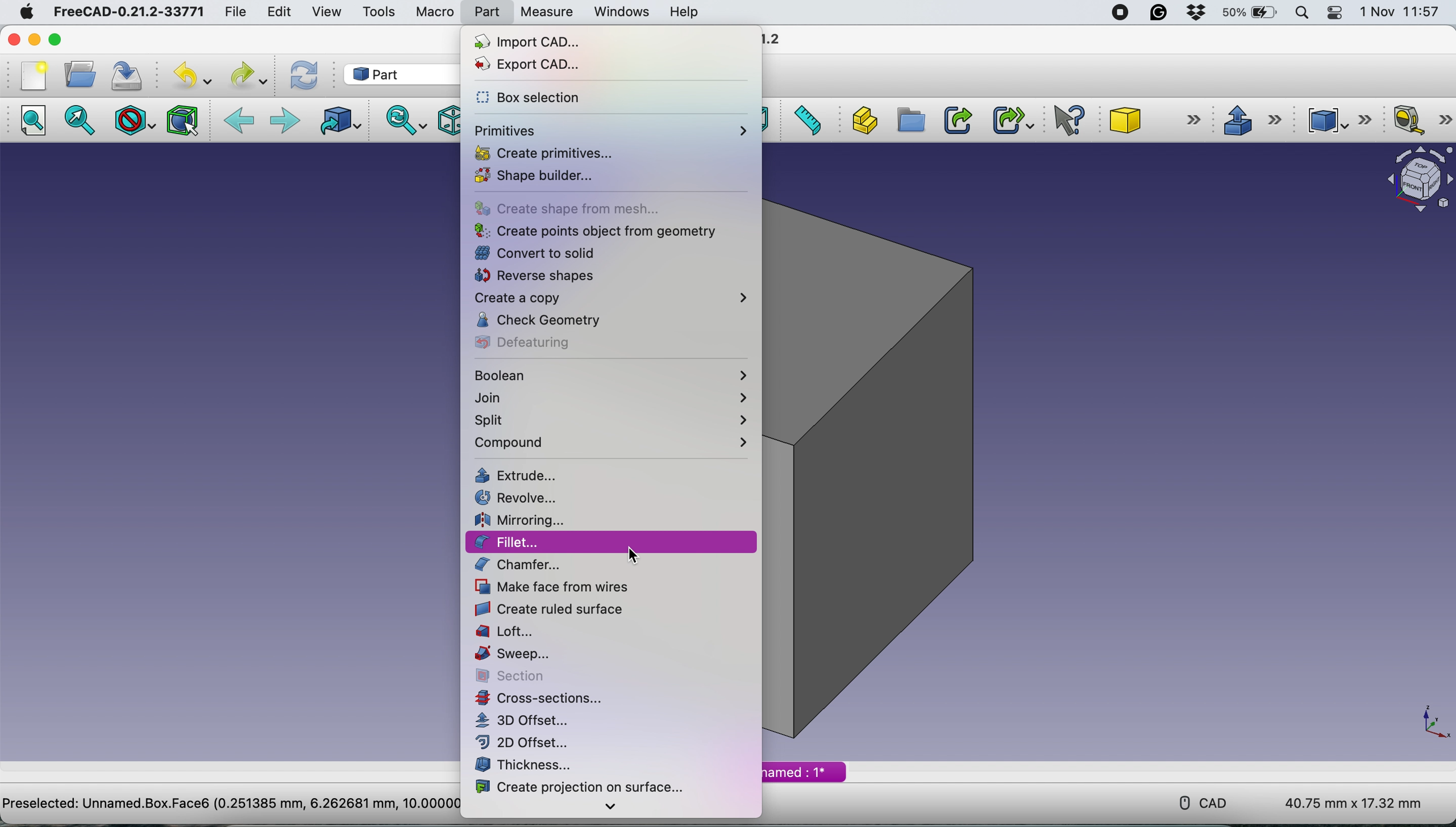  What do you see at coordinates (236, 10) in the screenshot?
I see `file` at bounding box center [236, 10].